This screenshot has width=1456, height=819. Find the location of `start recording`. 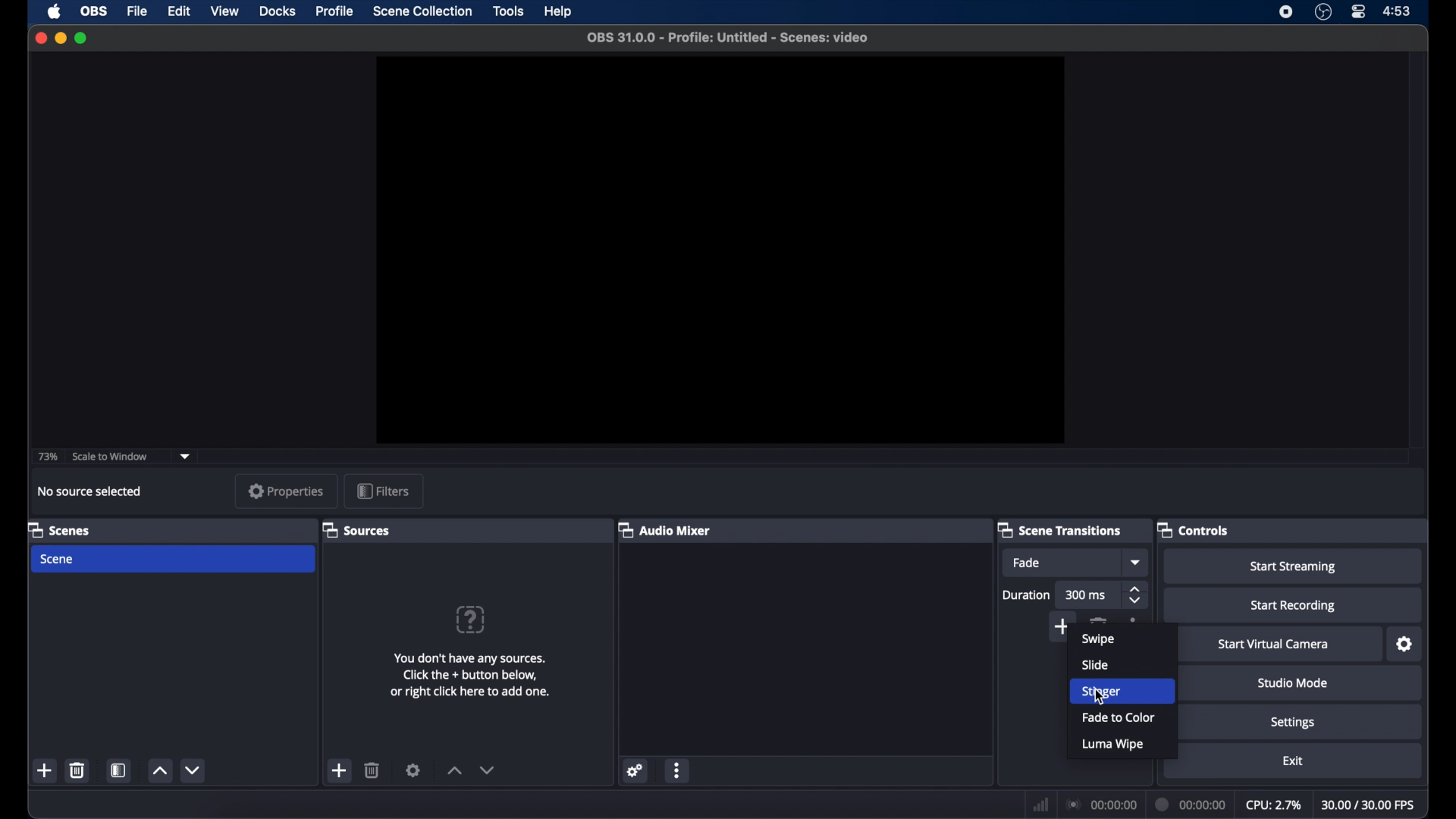

start recording is located at coordinates (1295, 606).